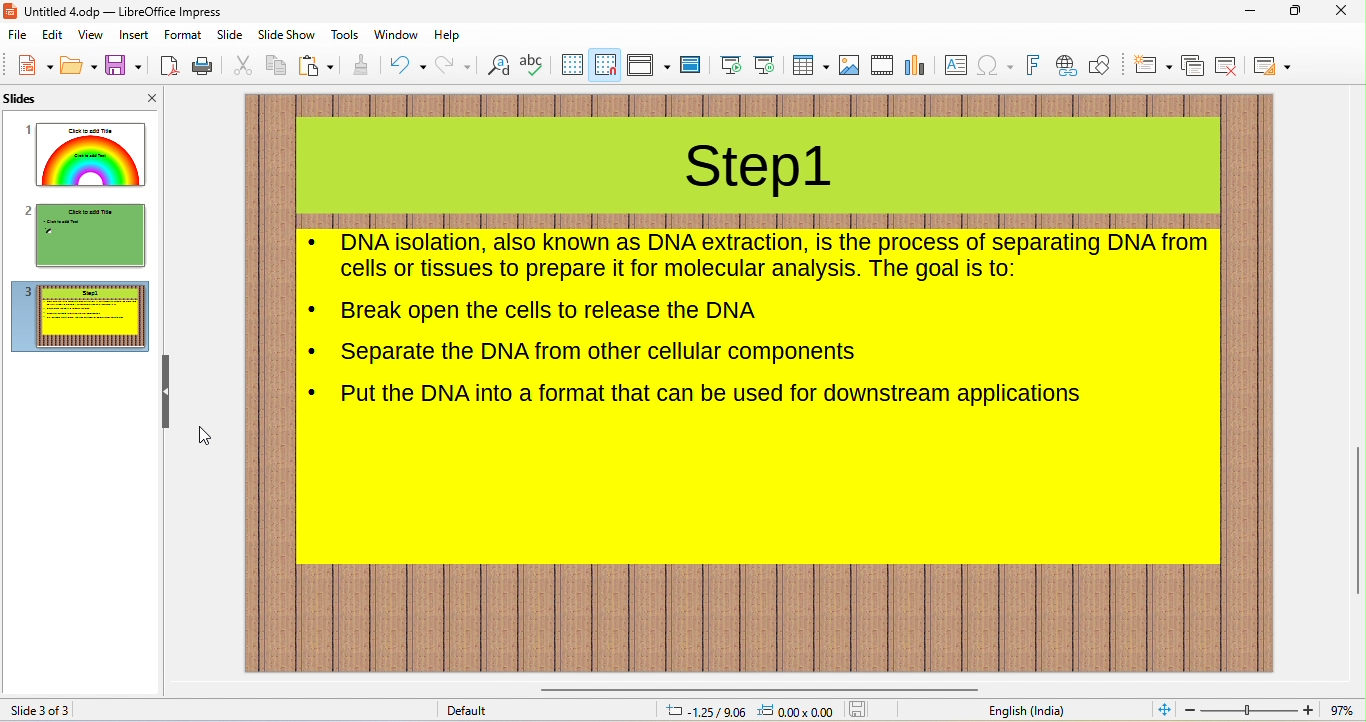 This screenshot has height=722, width=1366. I want to click on new slide, so click(1152, 65).